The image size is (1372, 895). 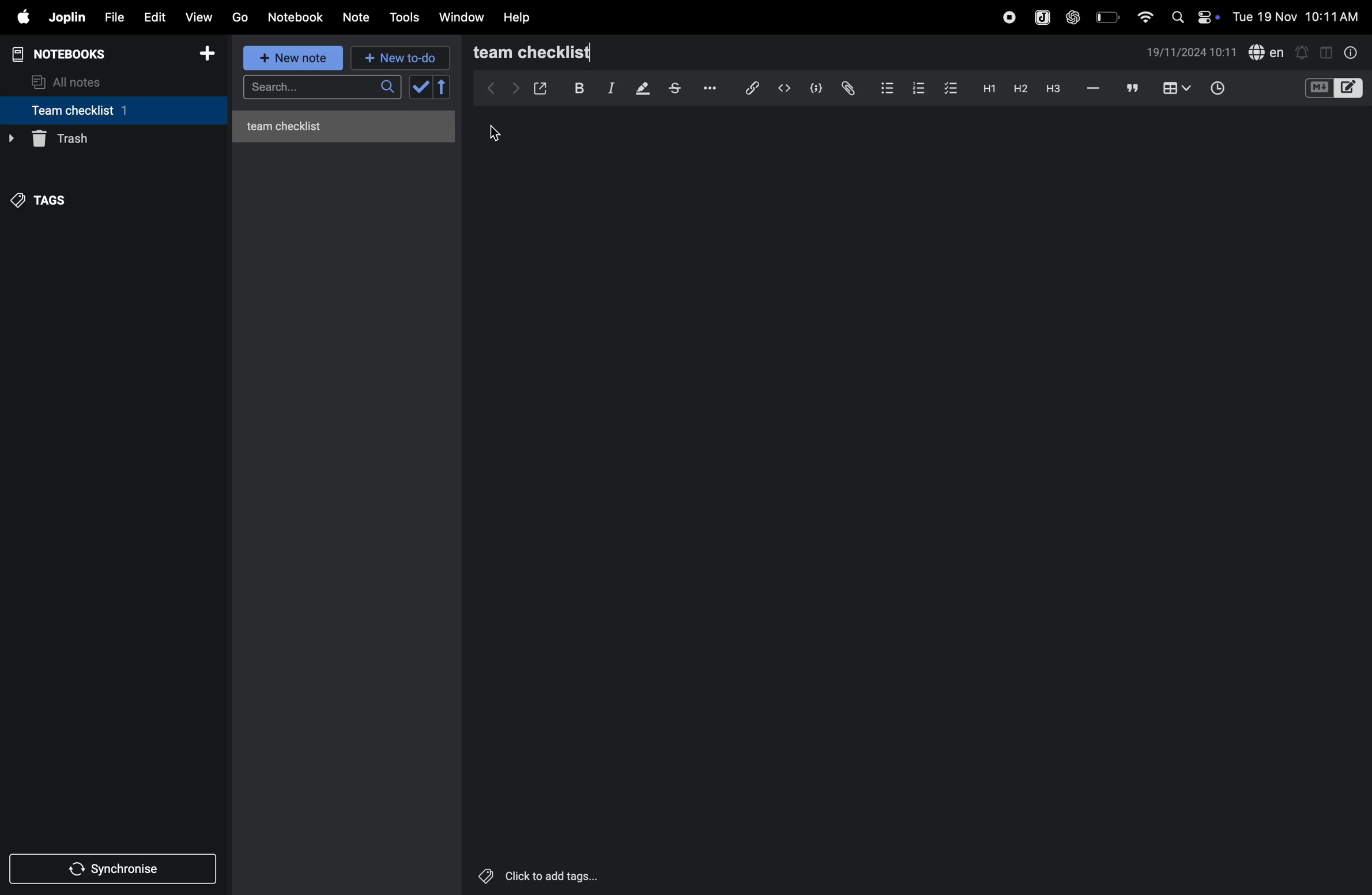 What do you see at coordinates (94, 110) in the screenshot?
I see `team checklist` at bounding box center [94, 110].